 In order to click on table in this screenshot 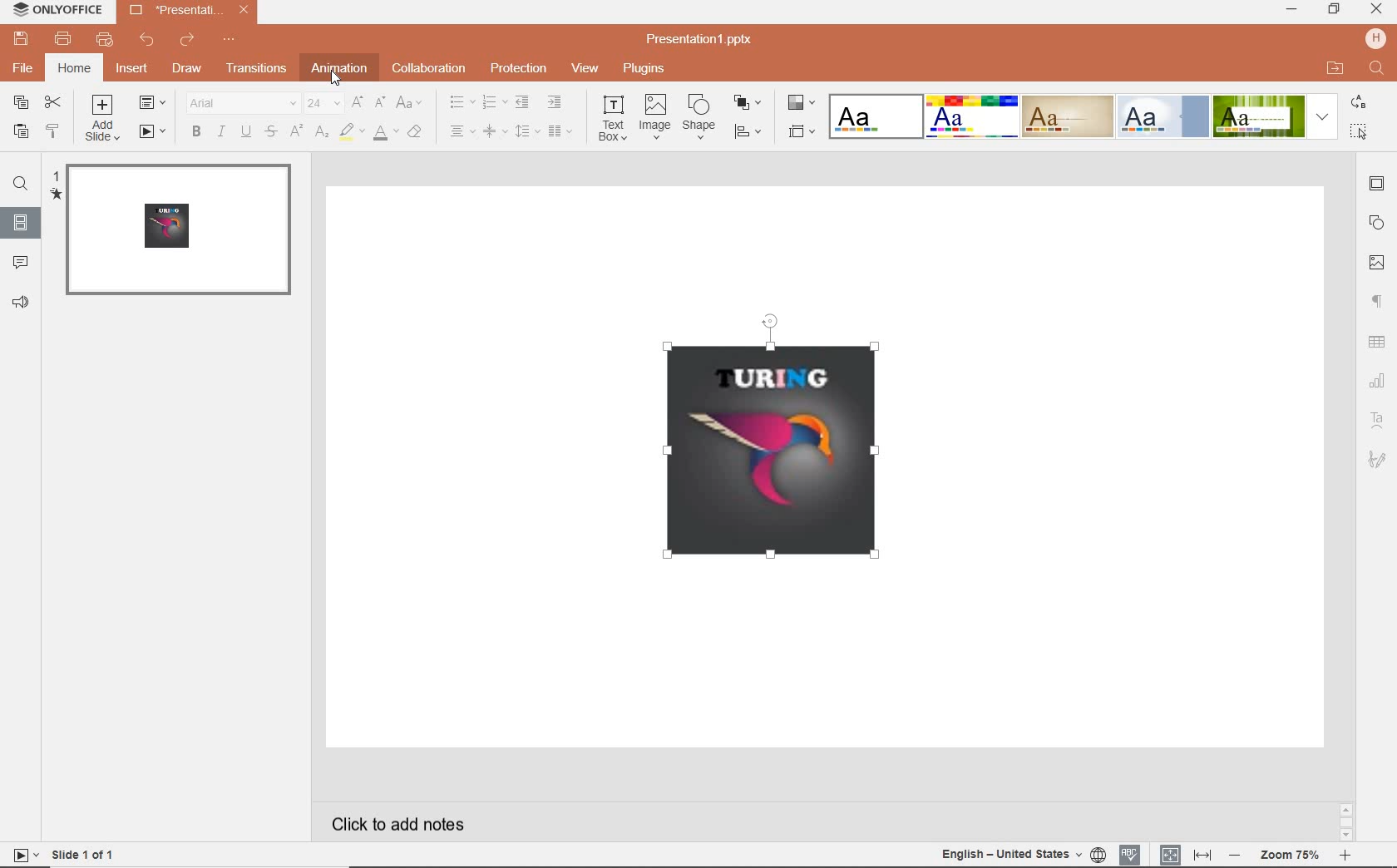, I will do `click(1379, 343)`.